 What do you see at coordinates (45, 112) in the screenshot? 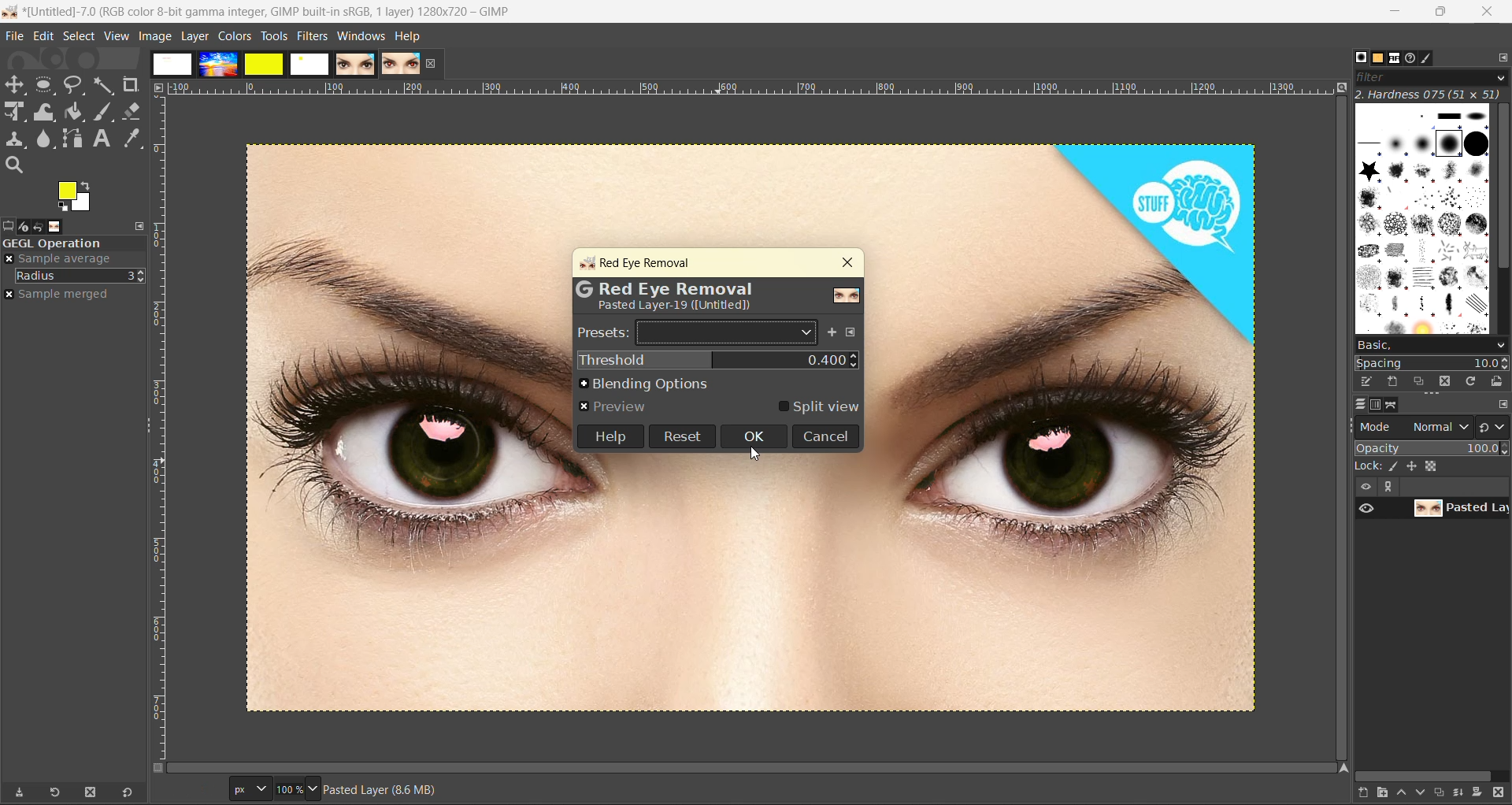
I see `wrap transform` at bounding box center [45, 112].